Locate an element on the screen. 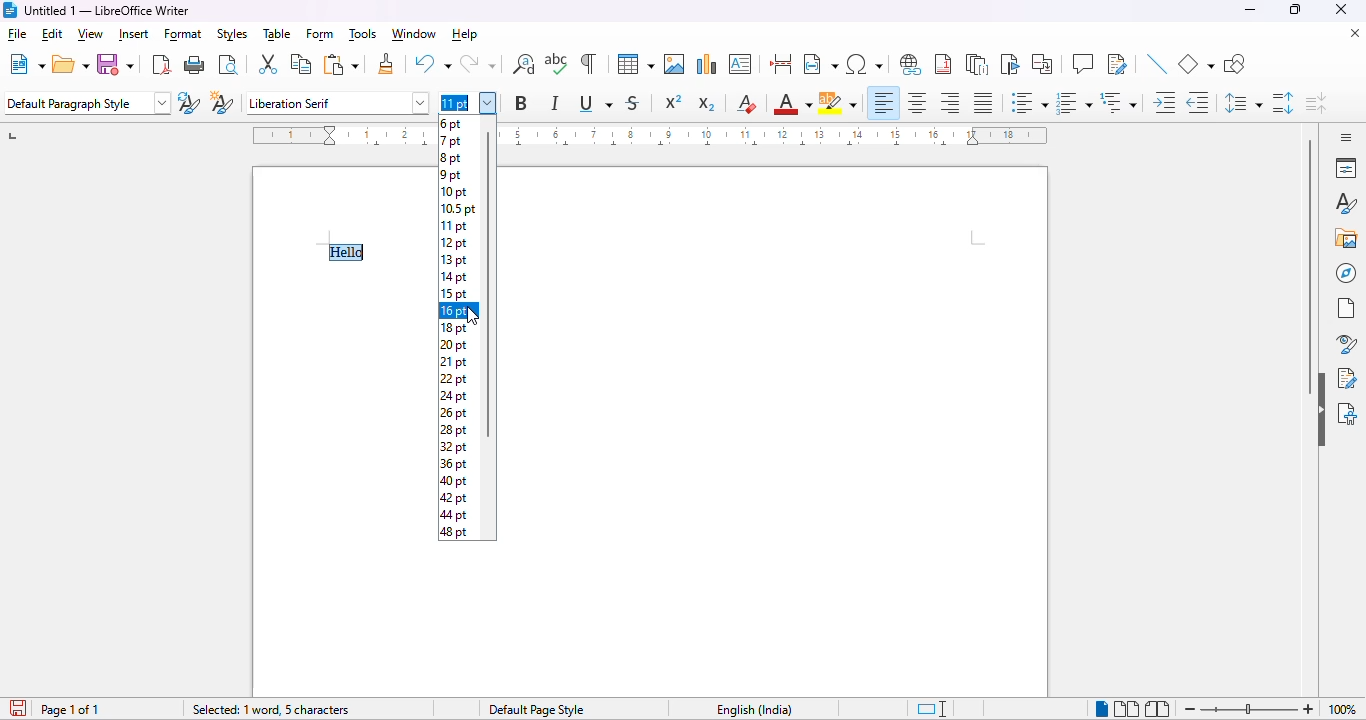 The image size is (1366, 720). Default page style is located at coordinates (536, 710).